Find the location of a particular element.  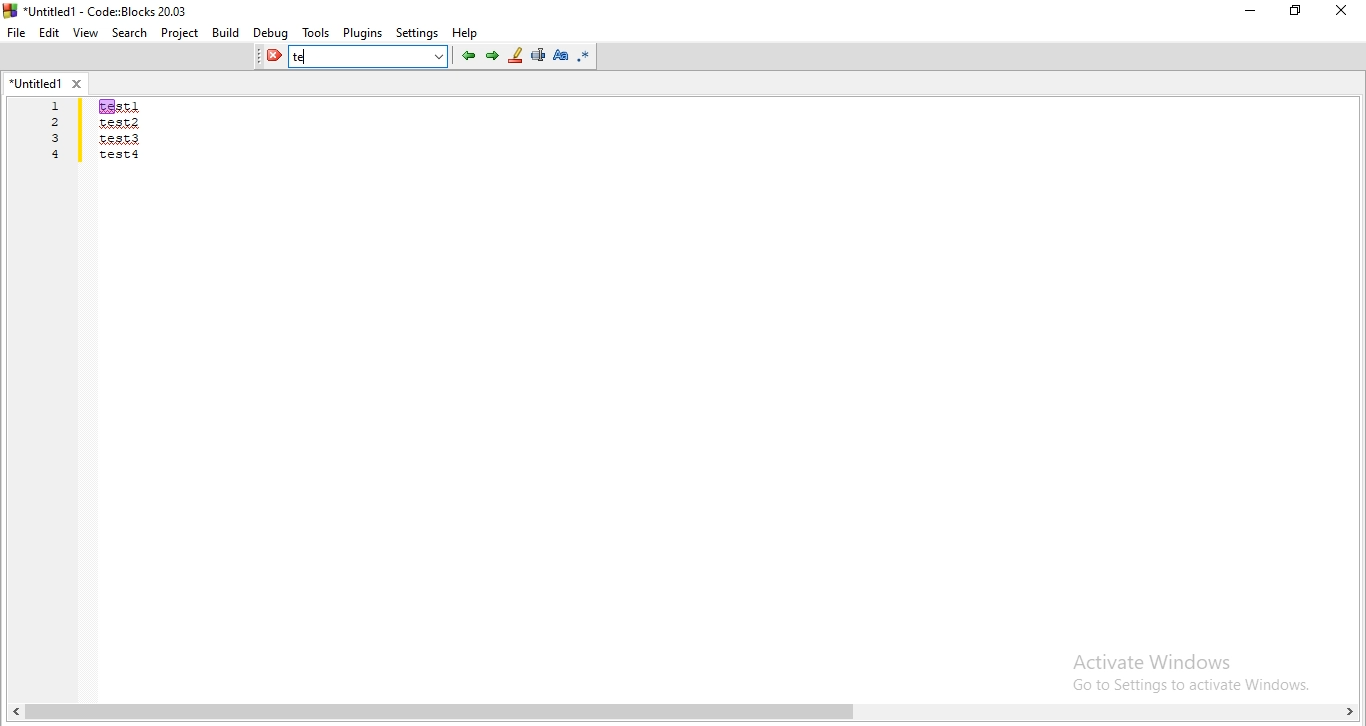

test4 is located at coordinates (121, 155).